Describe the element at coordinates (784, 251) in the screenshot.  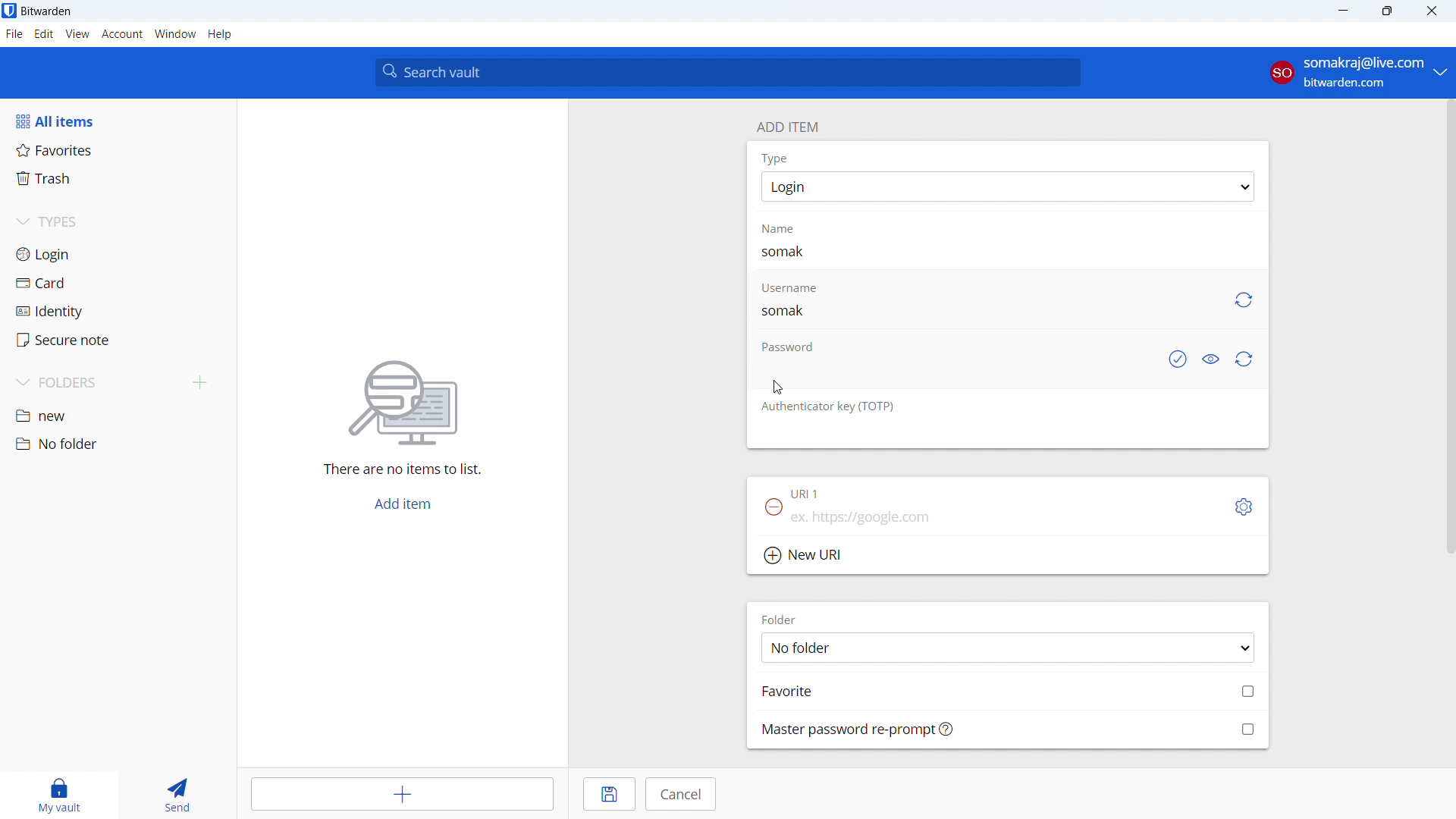
I see `name typed` at that location.